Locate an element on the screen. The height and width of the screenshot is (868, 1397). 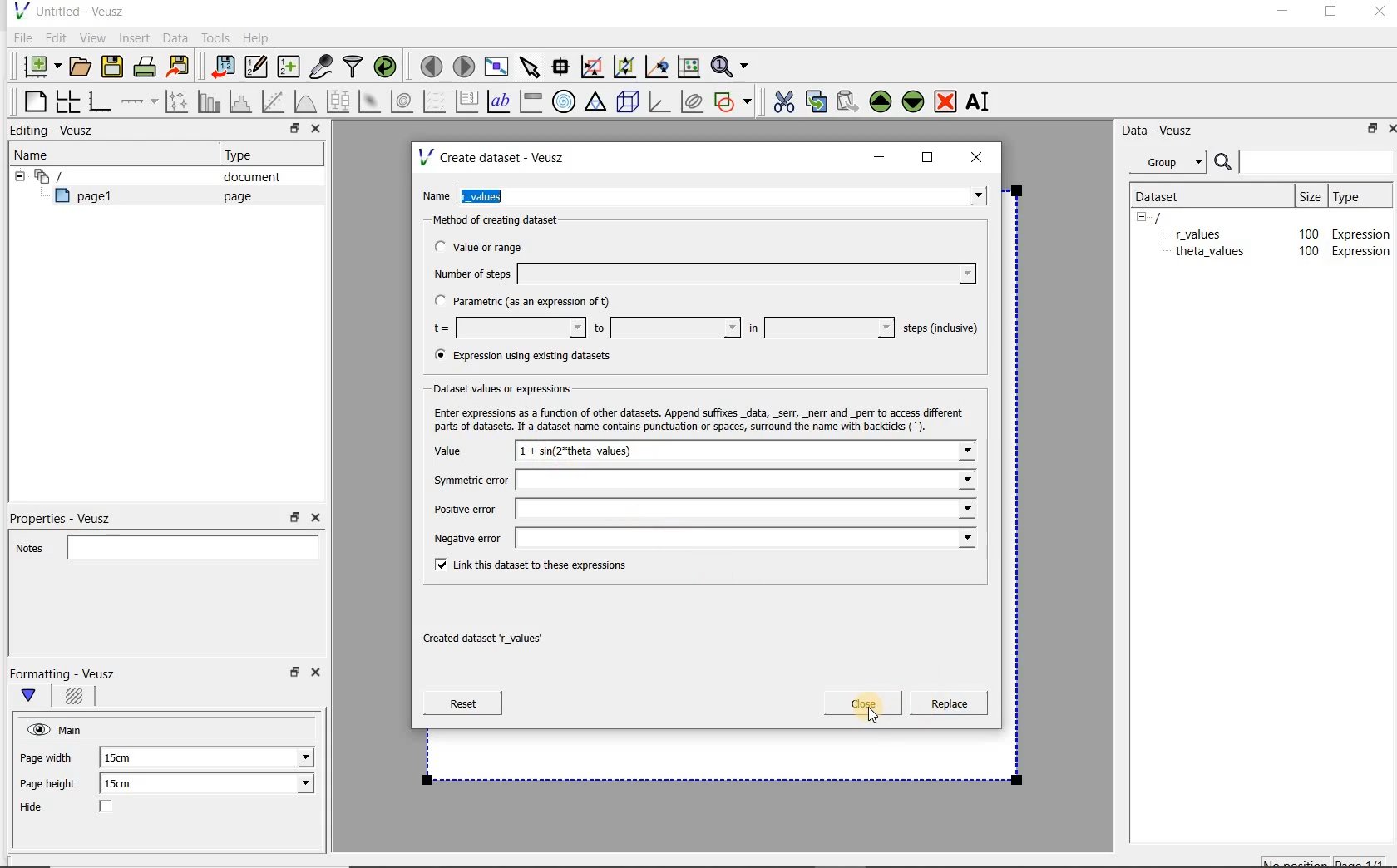
Read data points on the graph is located at coordinates (563, 67).